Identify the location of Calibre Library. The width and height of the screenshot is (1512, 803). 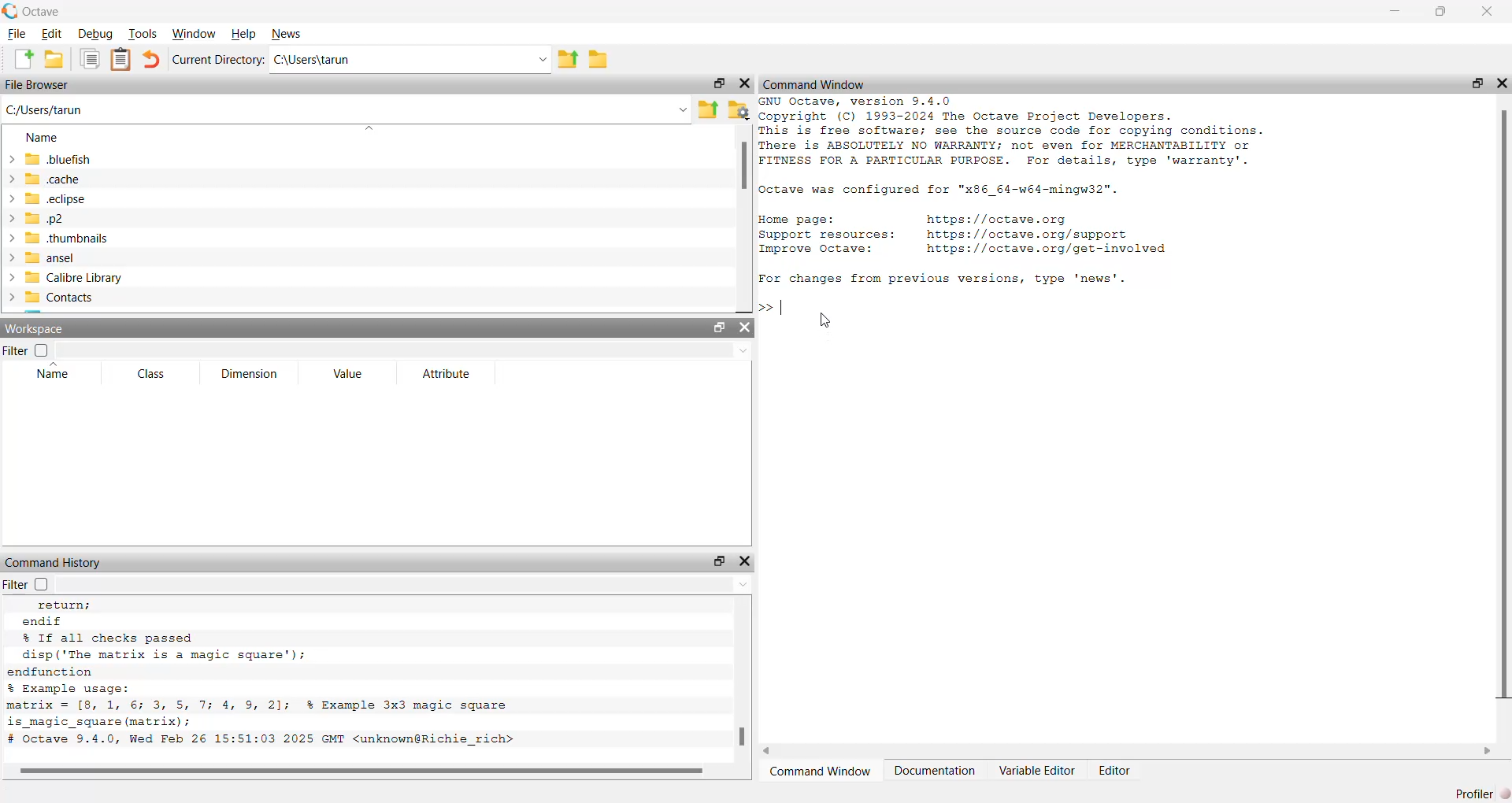
(63, 277).